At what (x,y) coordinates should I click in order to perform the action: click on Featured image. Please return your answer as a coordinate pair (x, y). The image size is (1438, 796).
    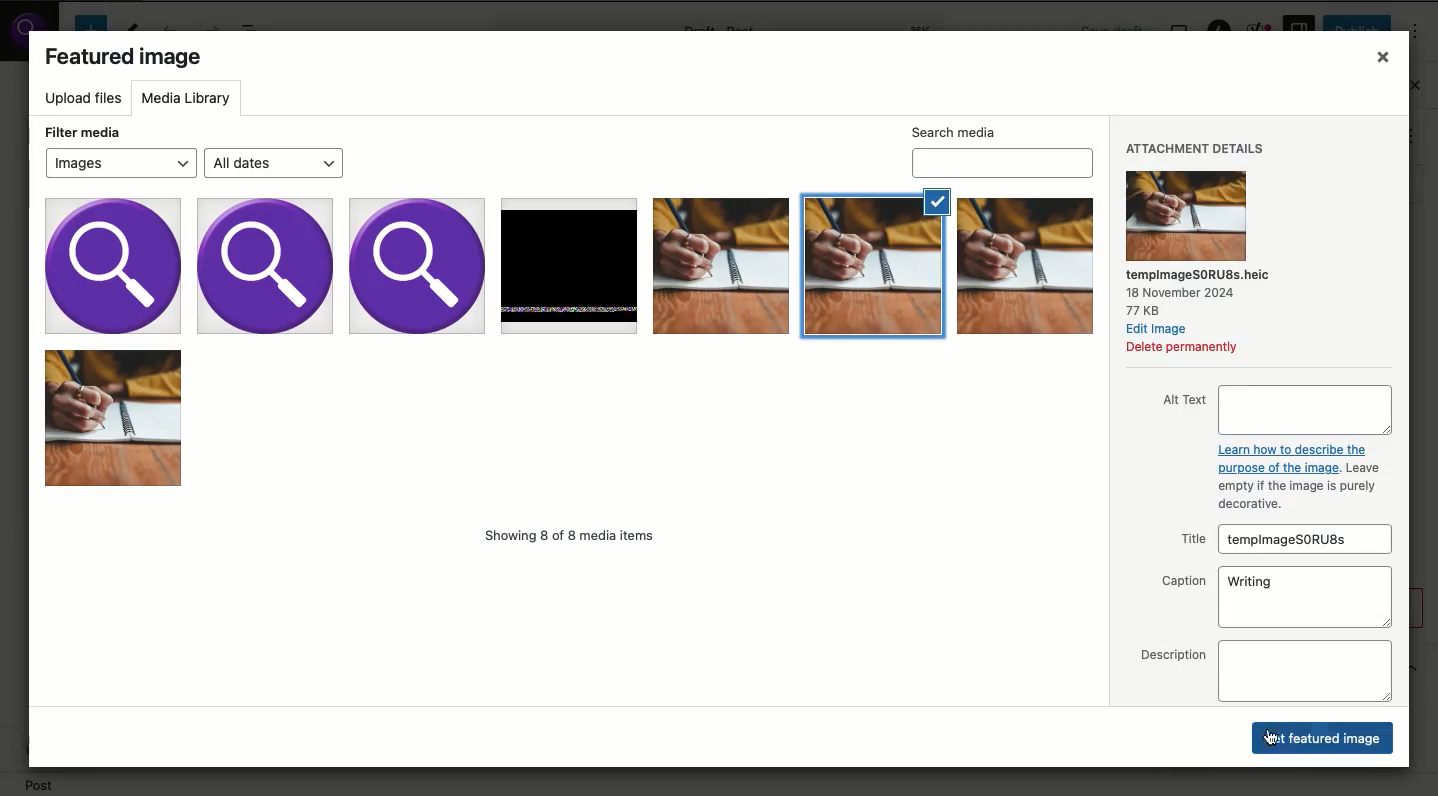
    Looking at the image, I should click on (126, 59).